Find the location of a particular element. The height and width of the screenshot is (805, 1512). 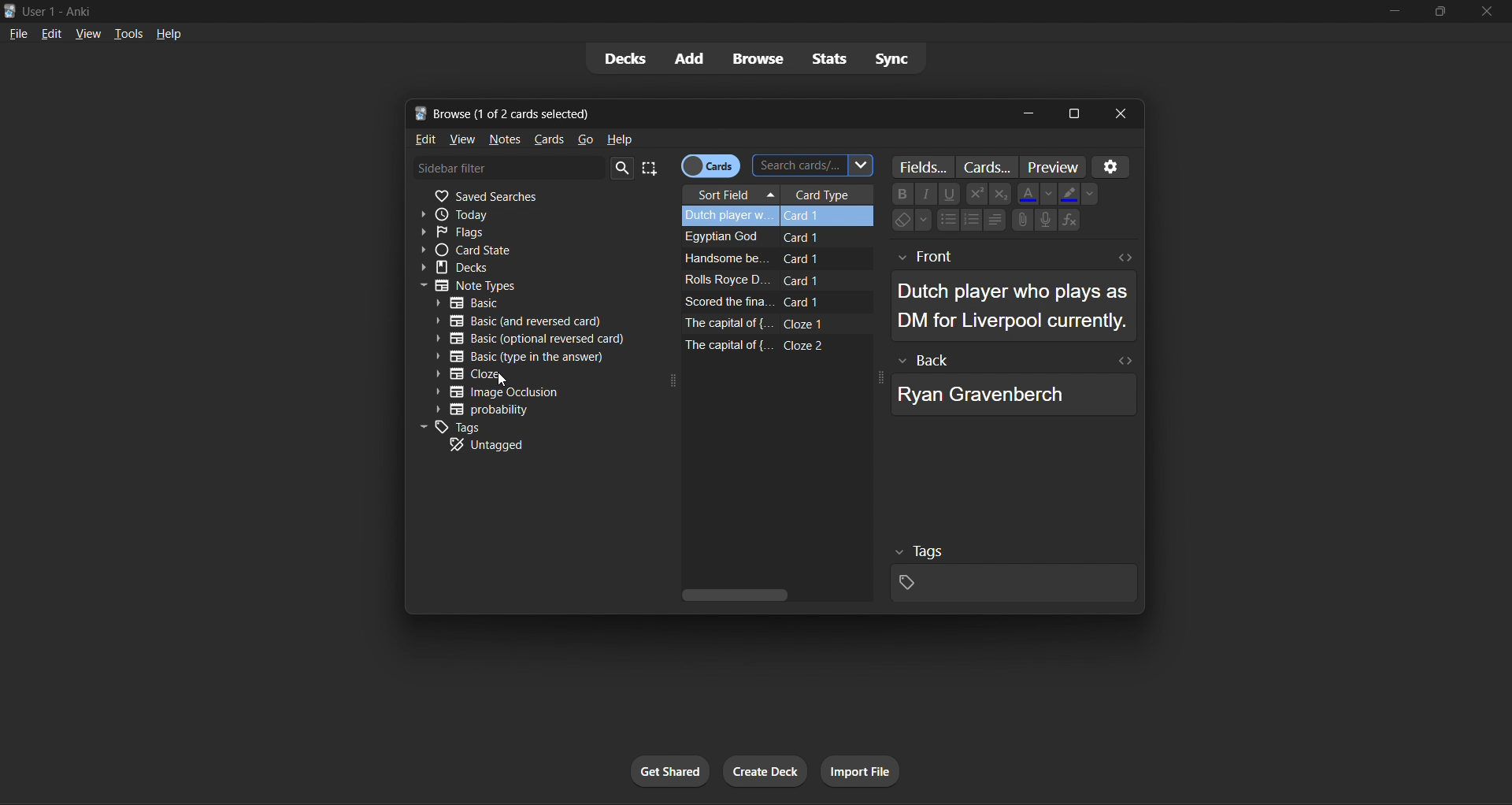

sync is located at coordinates (903, 57).